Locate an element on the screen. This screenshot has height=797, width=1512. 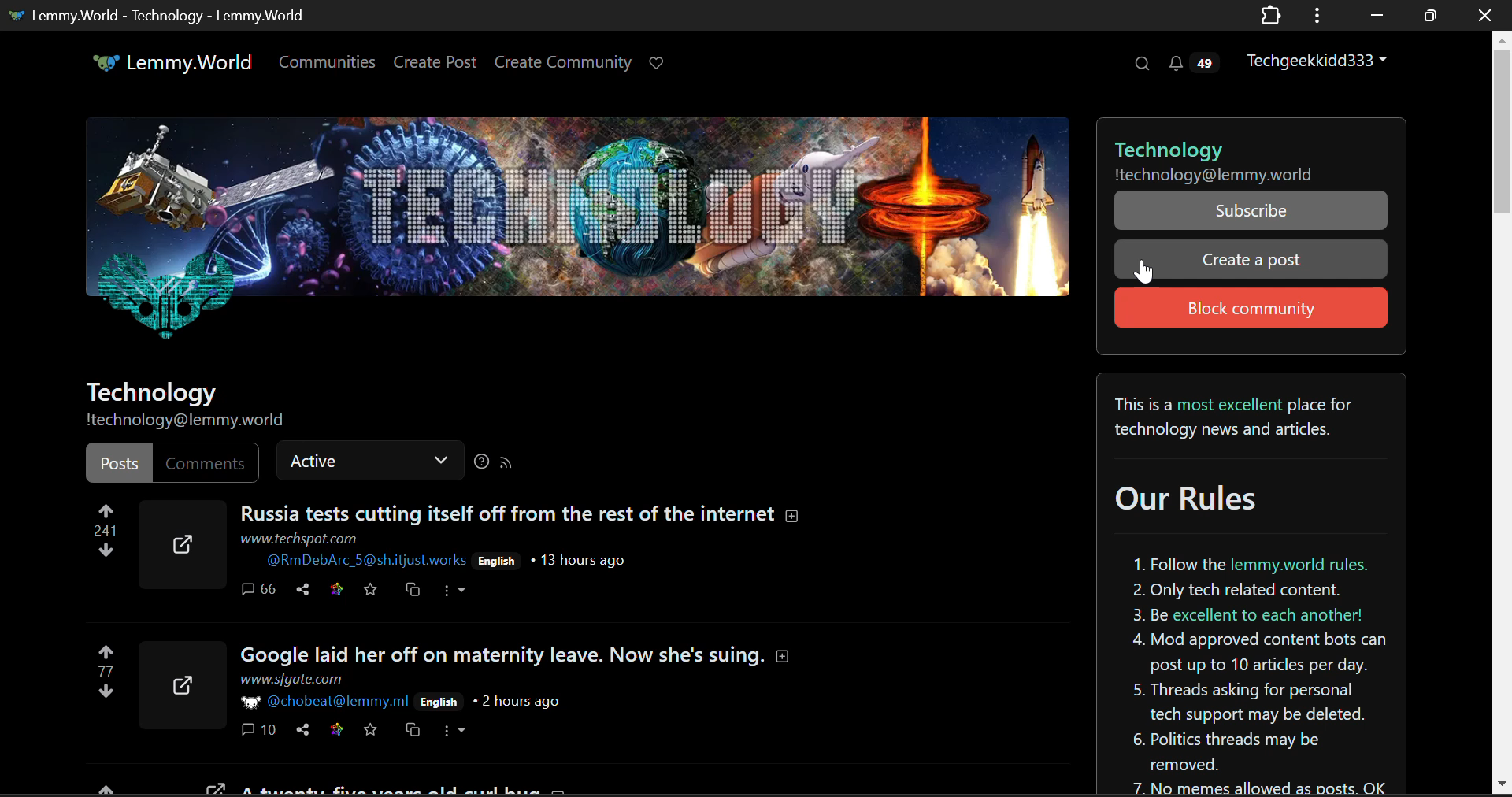
Save Link is located at coordinates (335, 589).